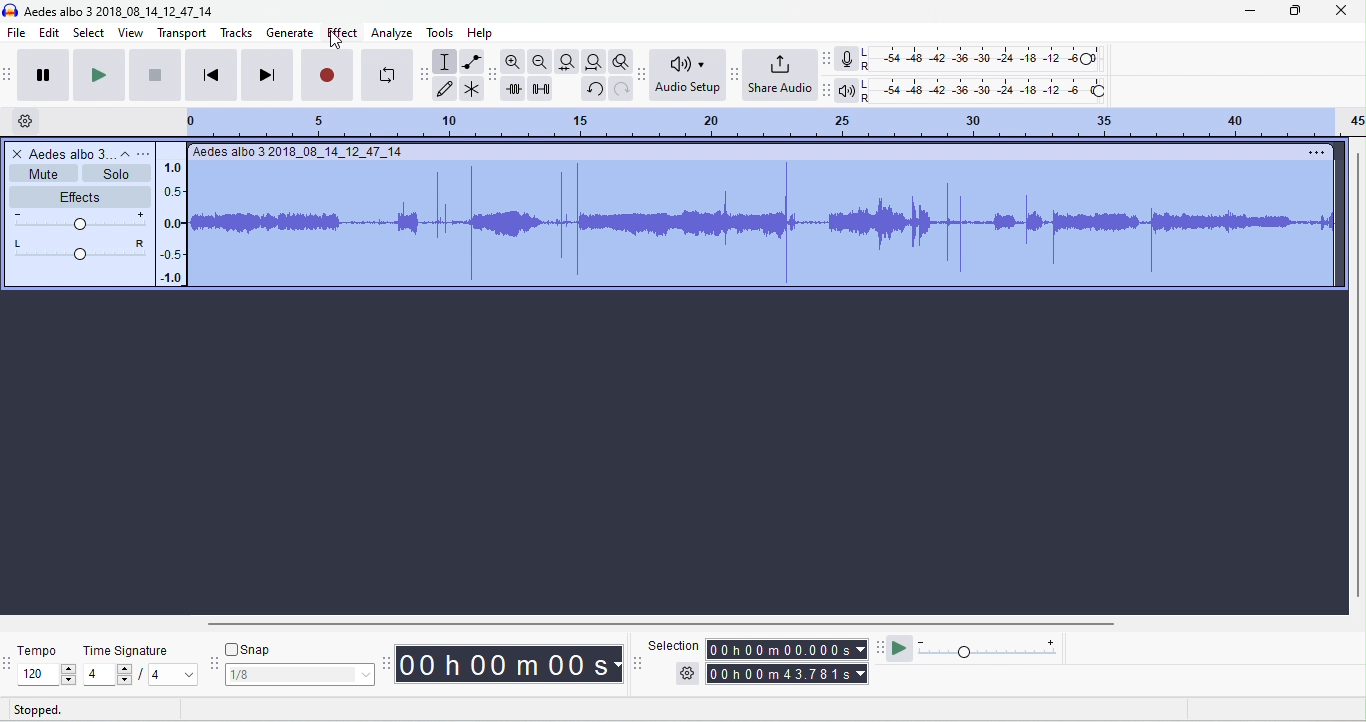 This screenshot has width=1366, height=722. I want to click on analyze, so click(394, 33).